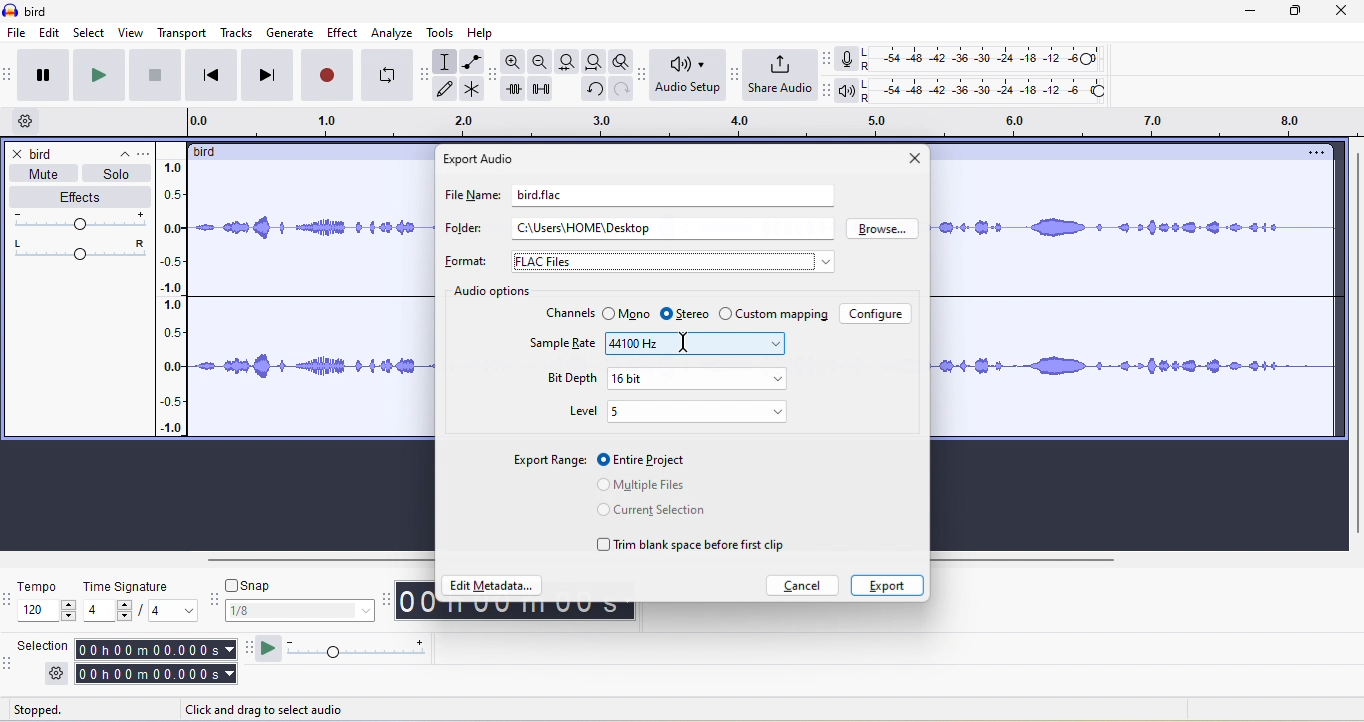 The image size is (1364, 722). Describe the element at coordinates (240, 34) in the screenshot. I see `tracks` at that location.